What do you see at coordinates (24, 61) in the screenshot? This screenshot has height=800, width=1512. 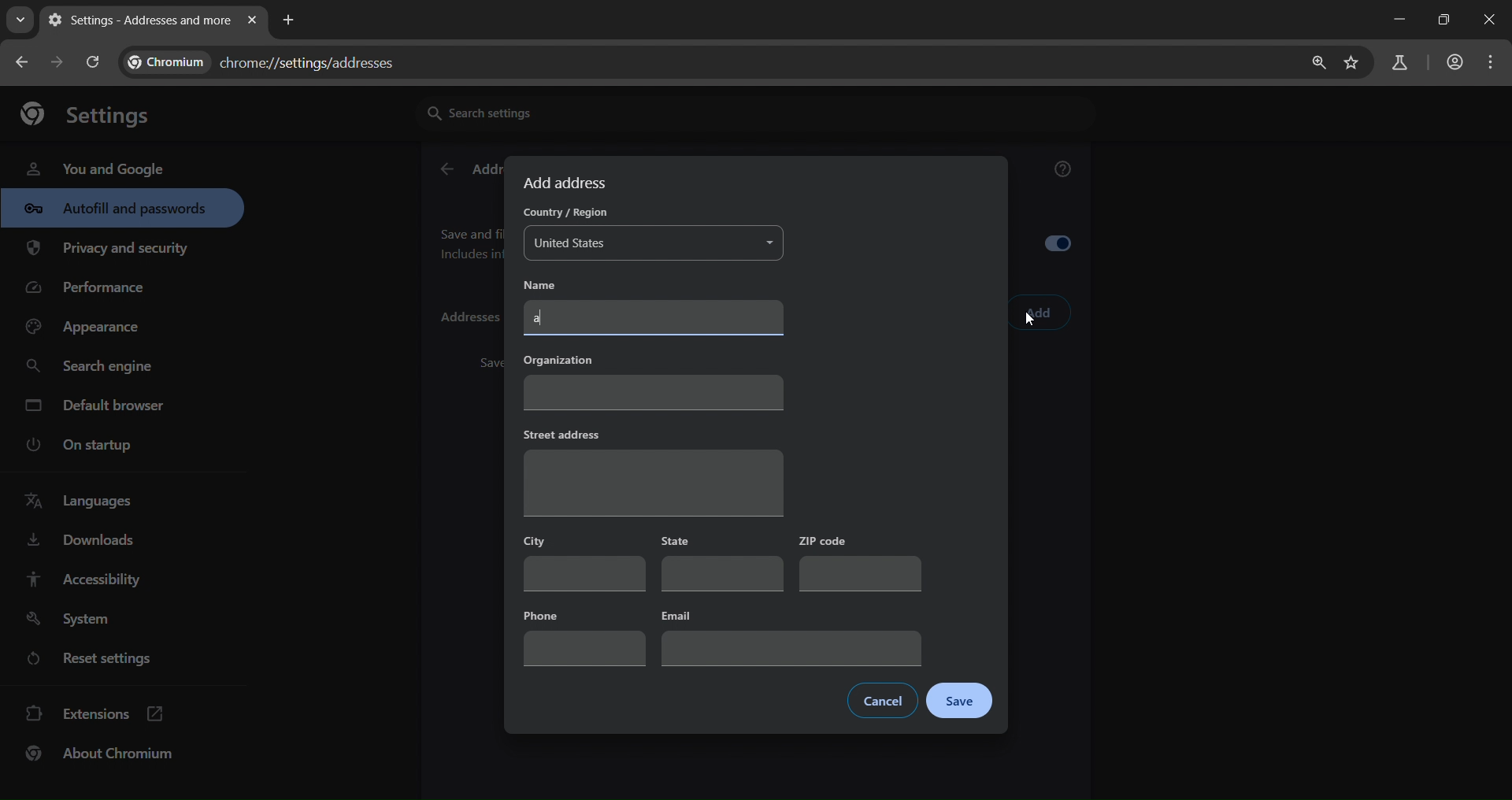 I see `go back one page` at bounding box center [24, 61].